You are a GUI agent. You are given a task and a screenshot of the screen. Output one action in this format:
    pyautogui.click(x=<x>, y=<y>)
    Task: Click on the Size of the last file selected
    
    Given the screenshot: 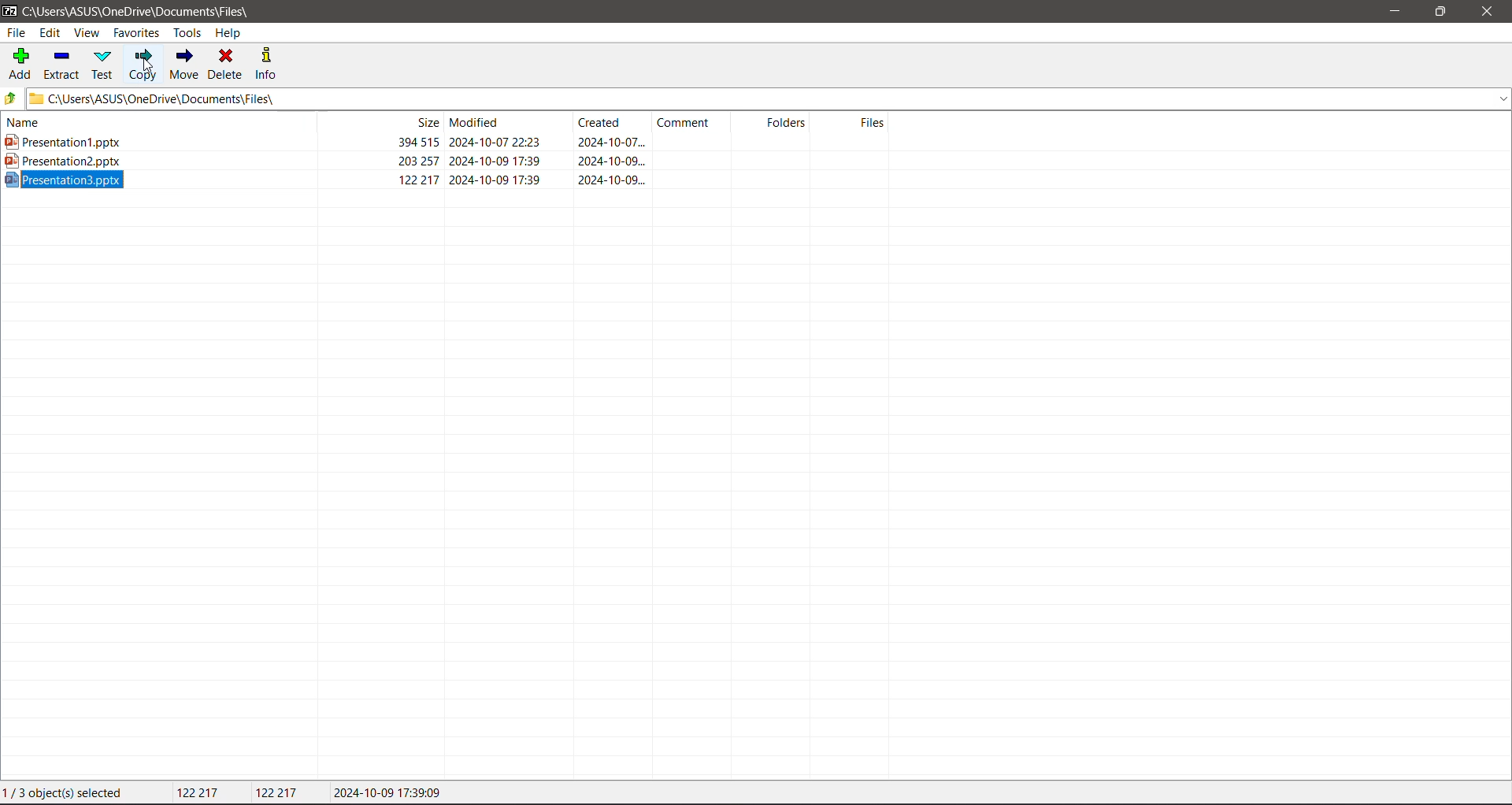 What is the action you would take?
    pyautogui.click(x=279, y=792)
    